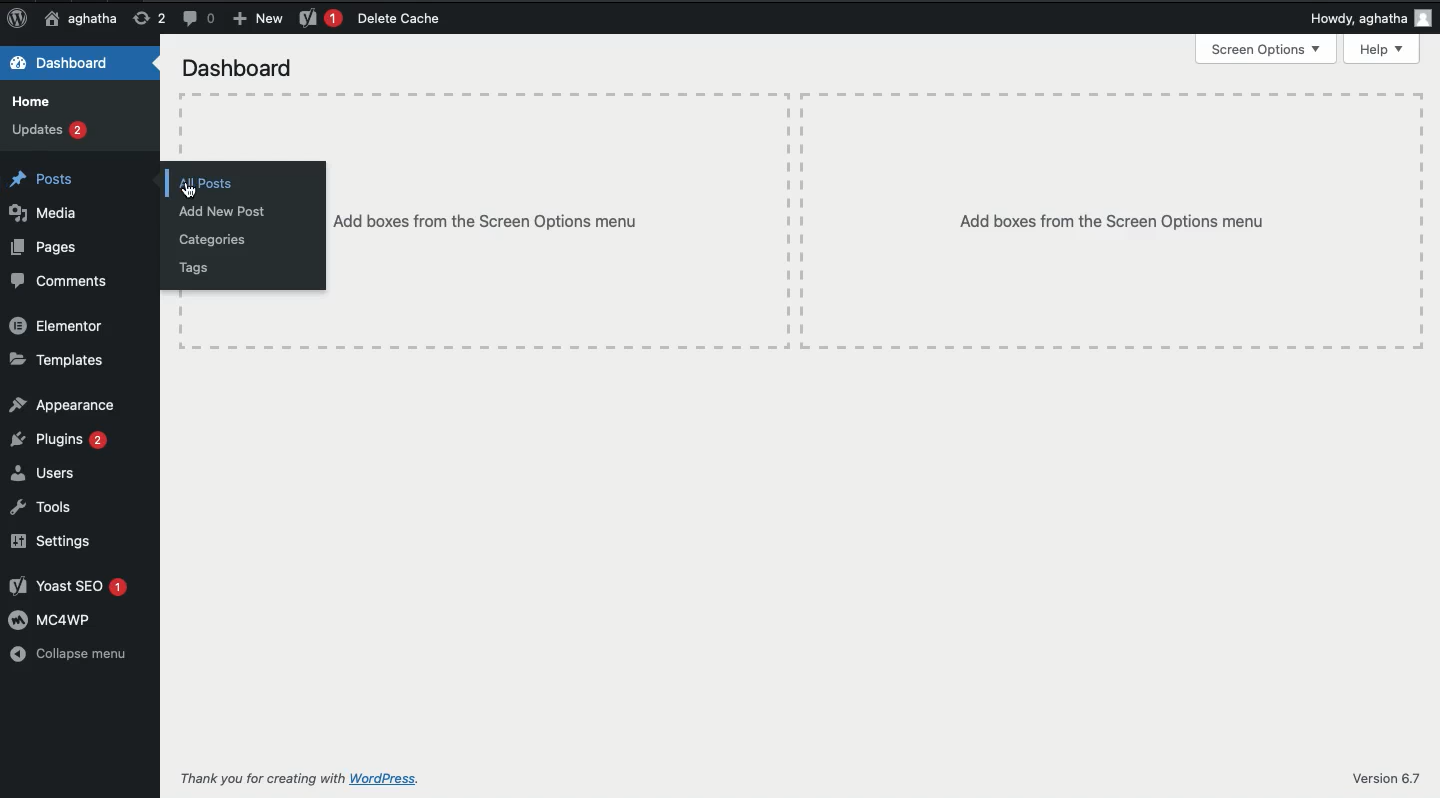 Image resolution: width=1440 pixels, height=798 pixels. Describe the element at coordinates (51, 540) in the screenshot. I see `Settings` at that location.